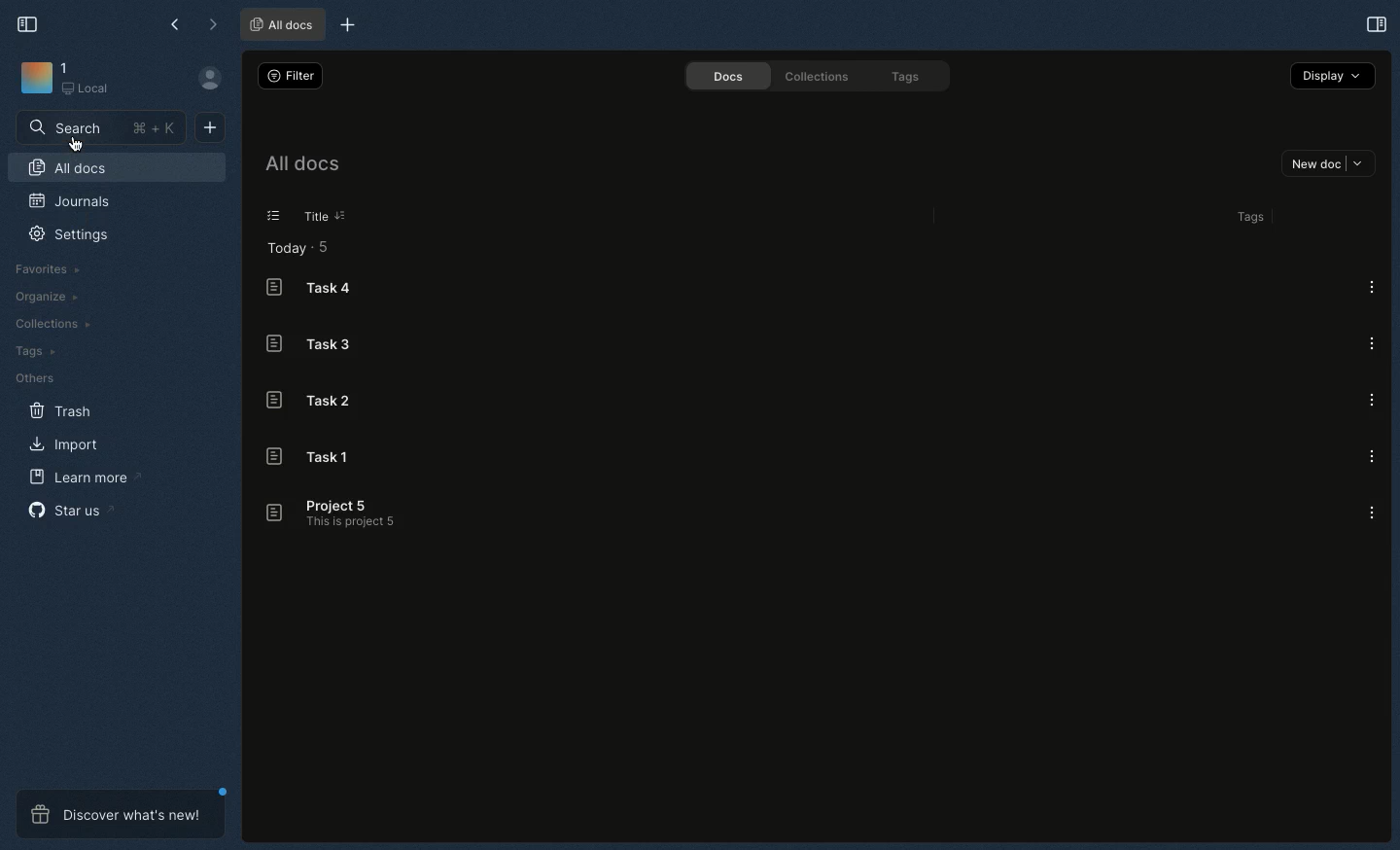  I want to click on Tags, so click(1247, 215).